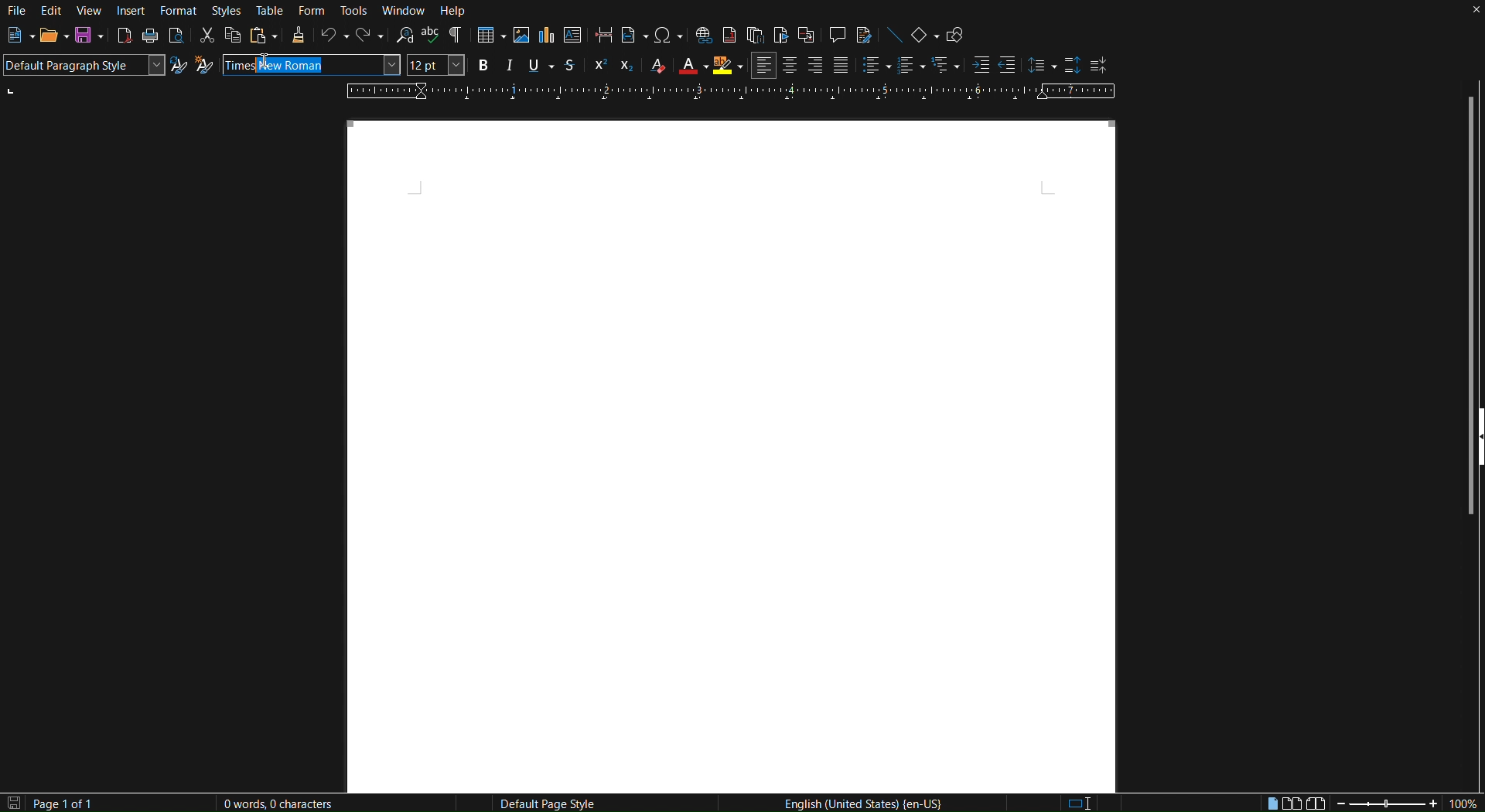  What do you see at coordinates (265, 67) in the screenshot?
I see `Cursor` at bounding box center [265, 67].